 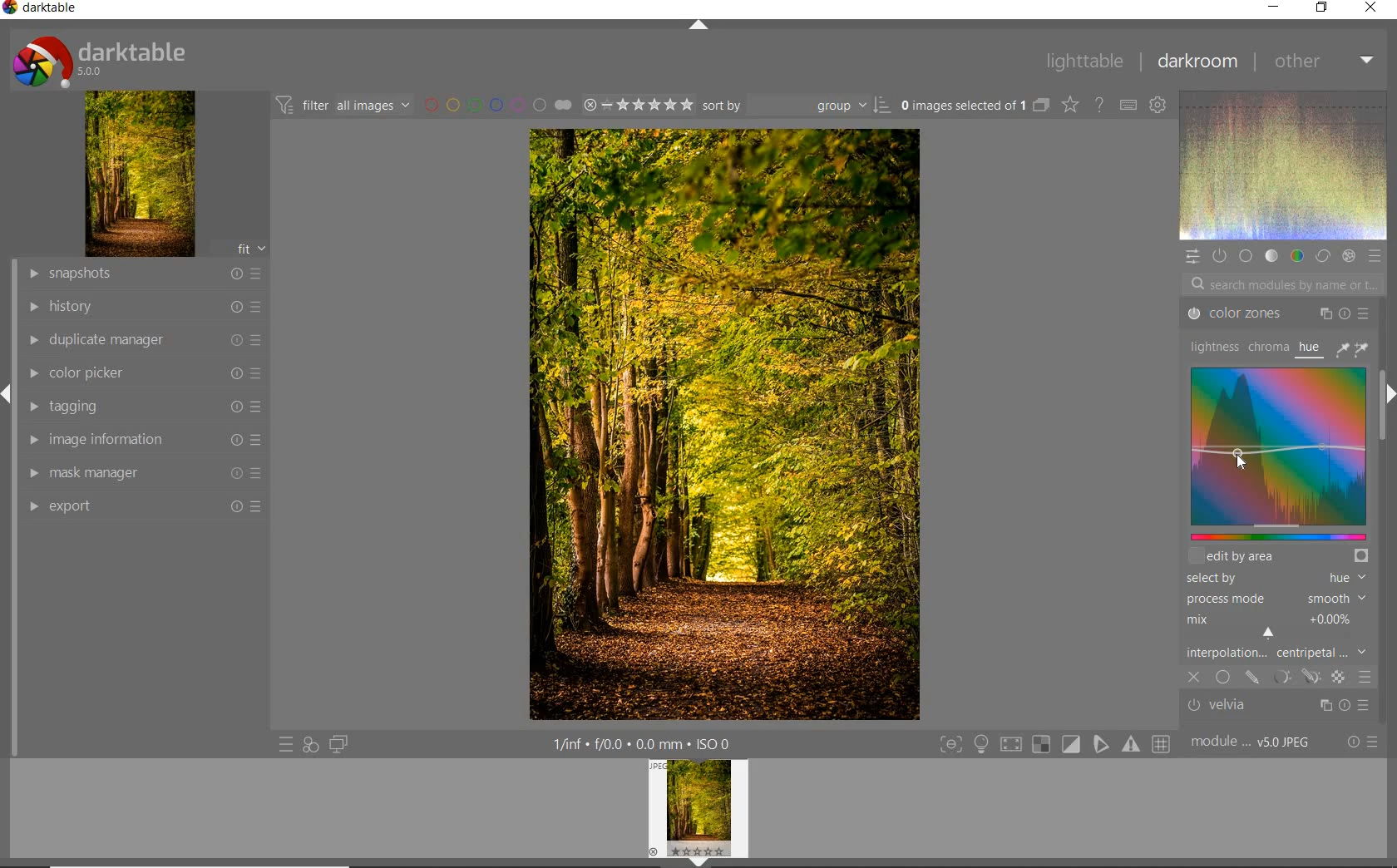 What do you see at coordinates (1389, 396) in the screenshot?
I see `EXPAND/COLLAPSE` at bounding box center [1389, 396].